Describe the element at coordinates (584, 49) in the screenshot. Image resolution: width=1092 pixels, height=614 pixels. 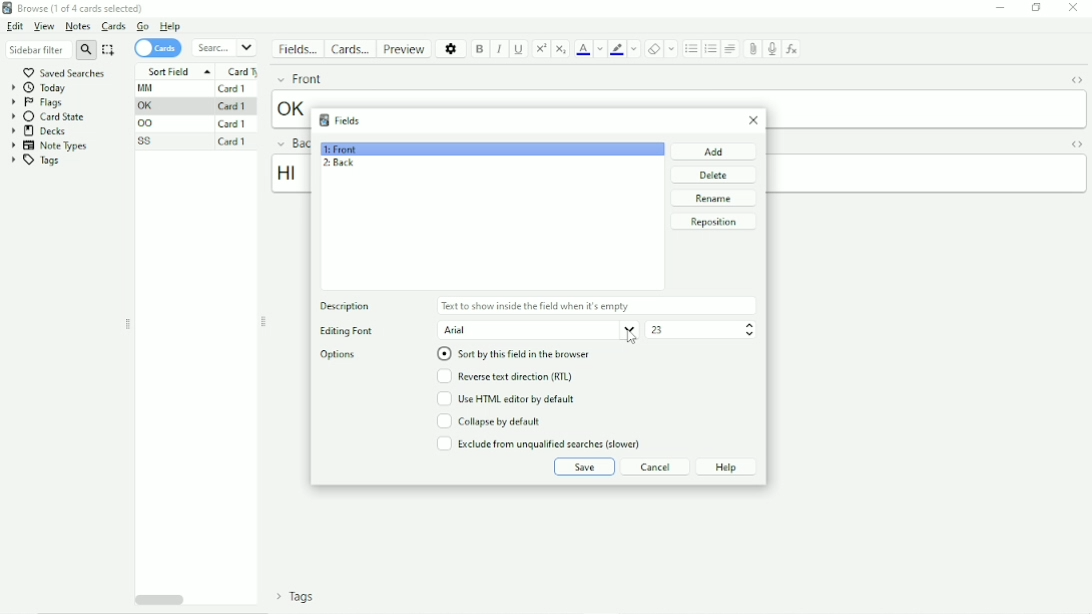
I see `Text color` at that location.